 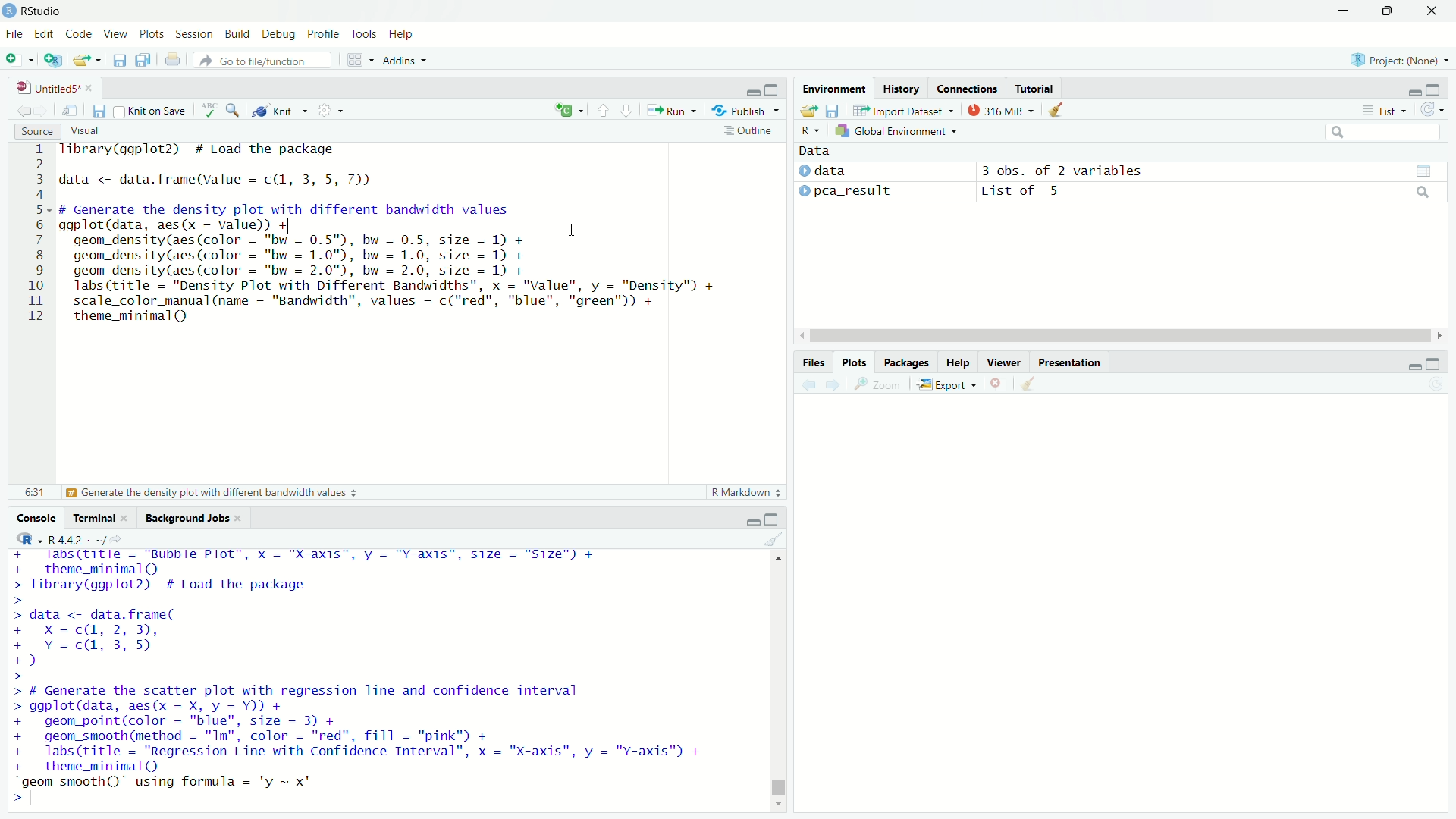 What do you see at coordinates (143, 60) in the screenshot?
I see `Save all open documents` at bounding box center [143, 60].